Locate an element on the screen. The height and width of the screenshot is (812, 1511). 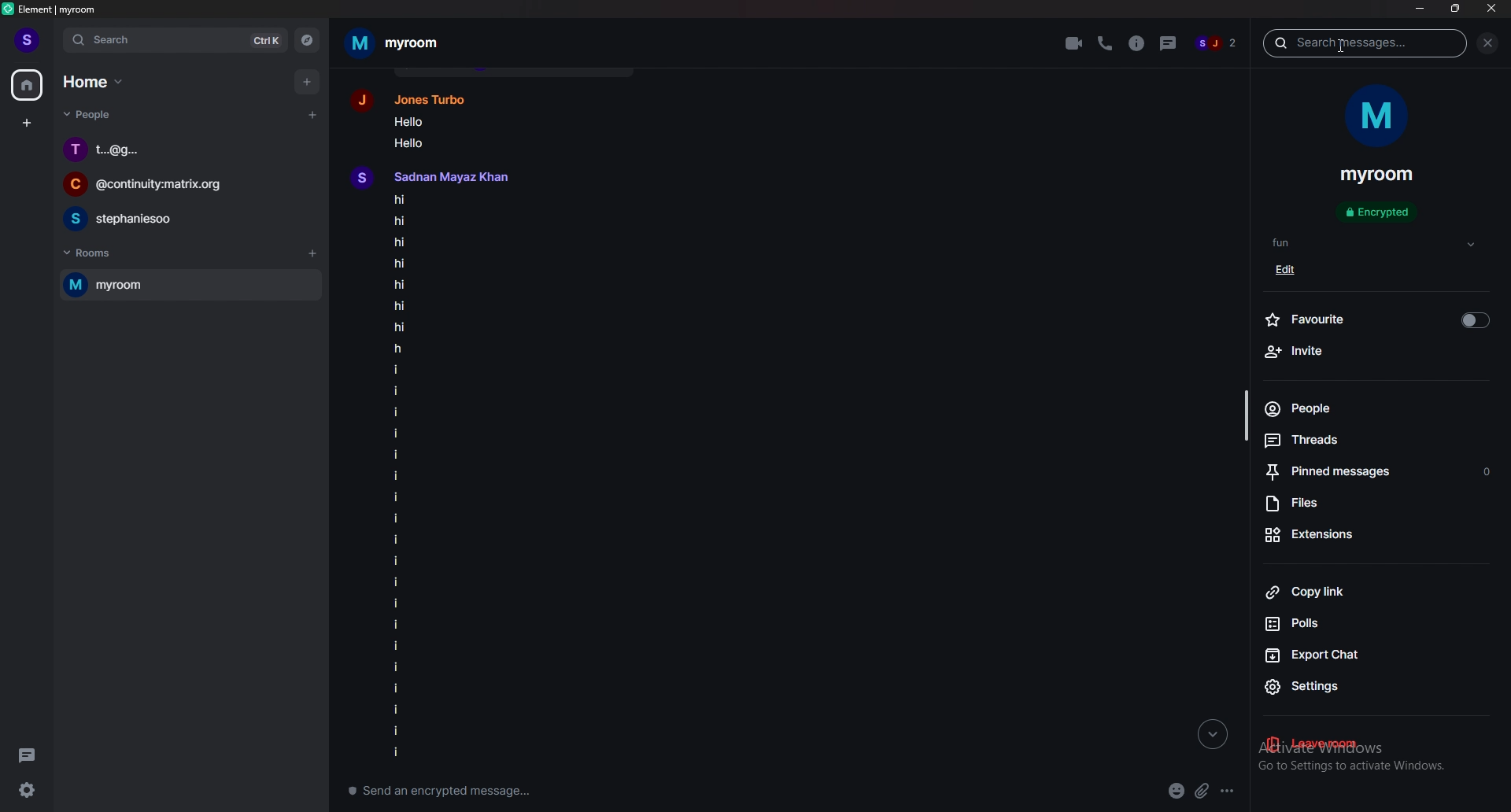
chat is located at coordinates (187, 219).